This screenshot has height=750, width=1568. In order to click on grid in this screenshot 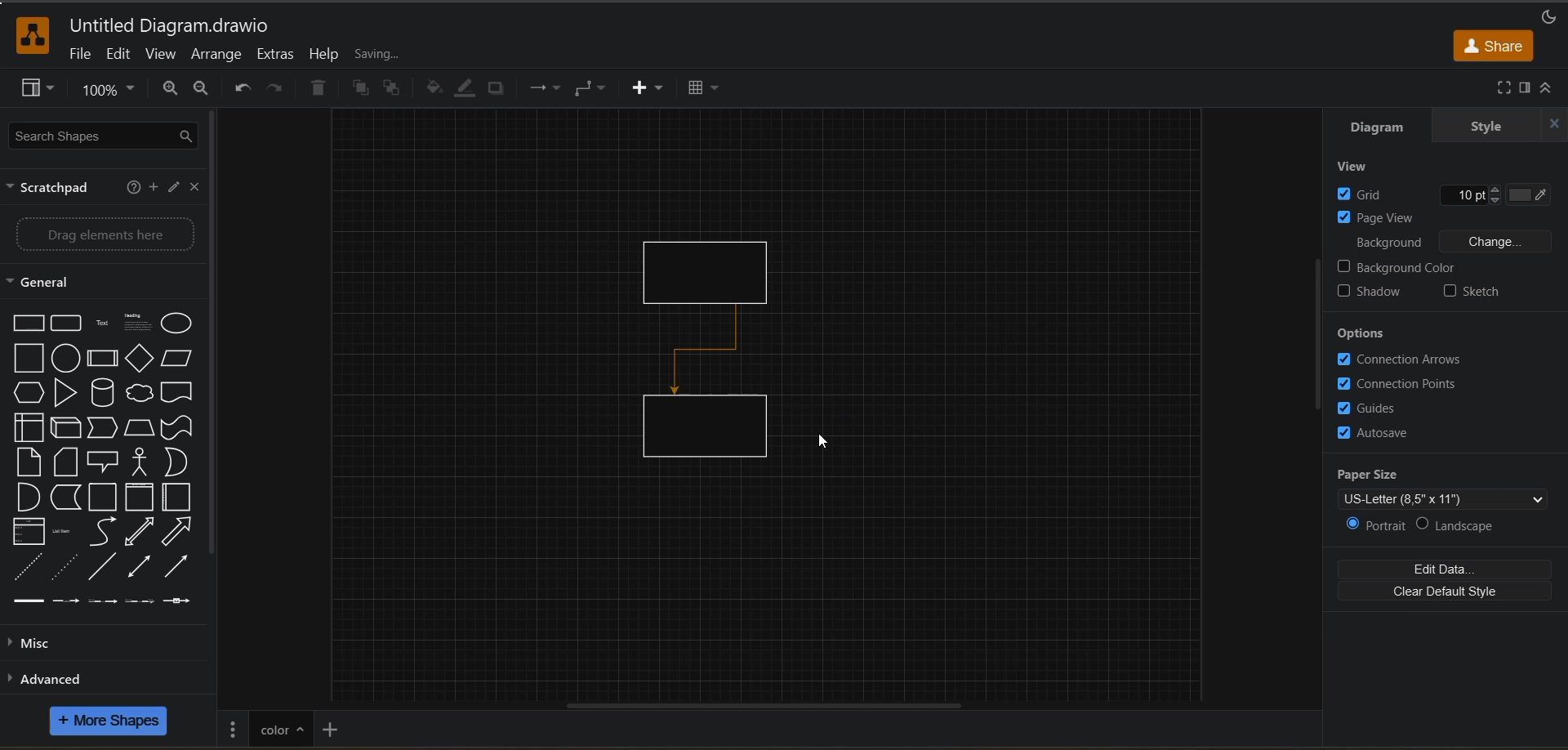, I will do `click(1445, 194)`.